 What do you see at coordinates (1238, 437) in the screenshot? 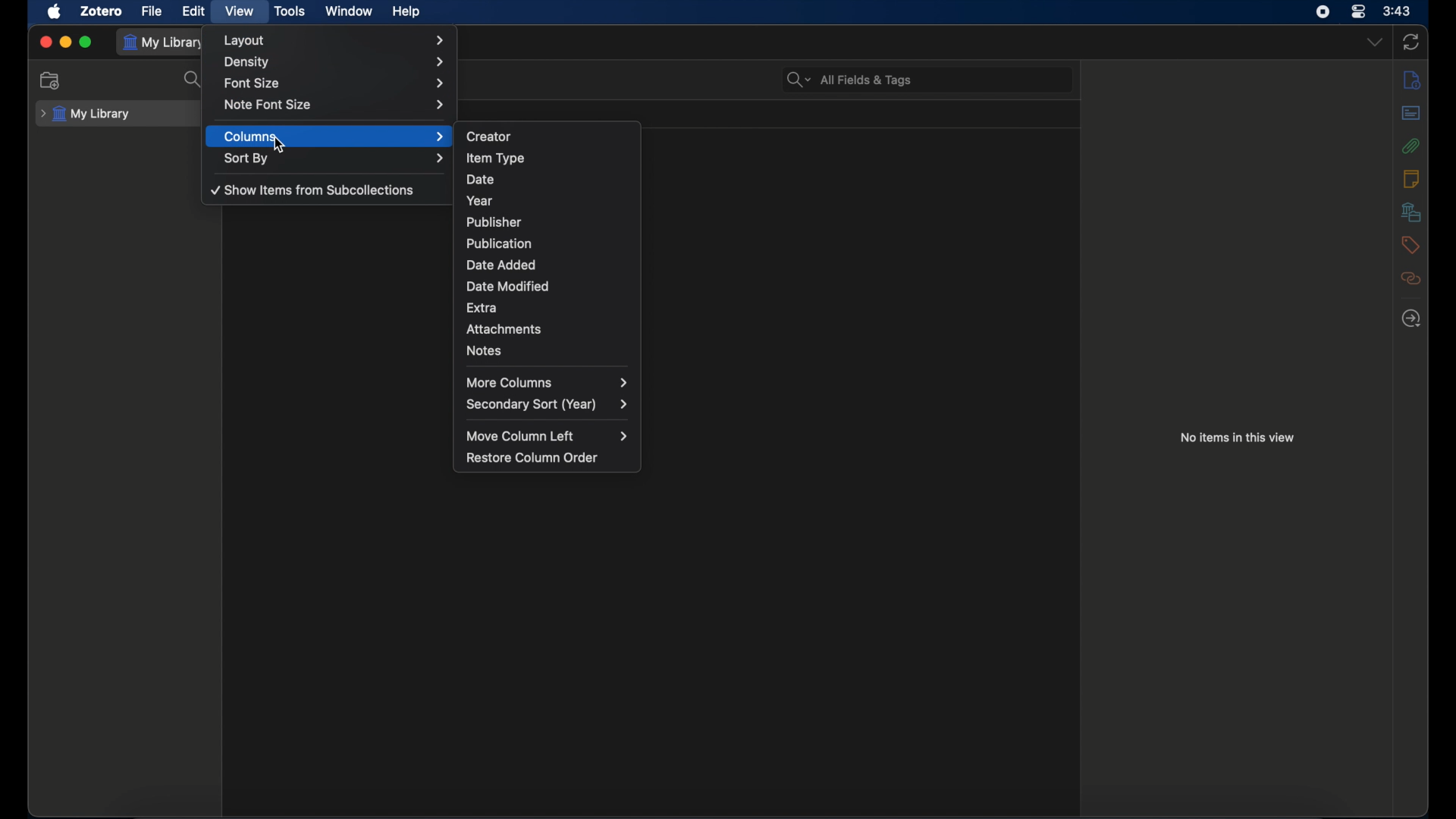
I see `no items in this view` at bounding box center [1238, 437].